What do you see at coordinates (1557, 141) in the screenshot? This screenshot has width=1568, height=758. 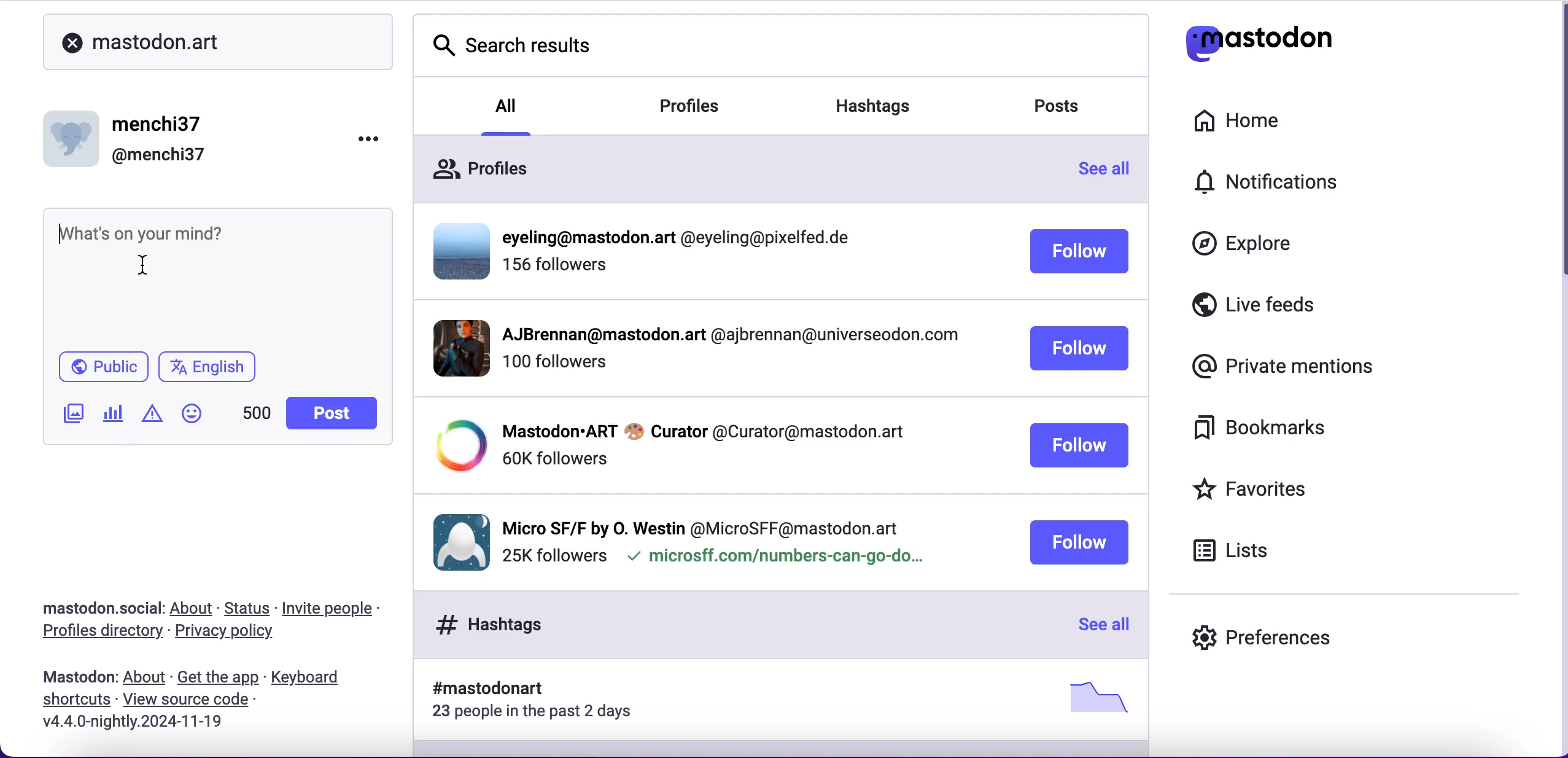 I see `scroll bar` at bounding box center [1557, 141].